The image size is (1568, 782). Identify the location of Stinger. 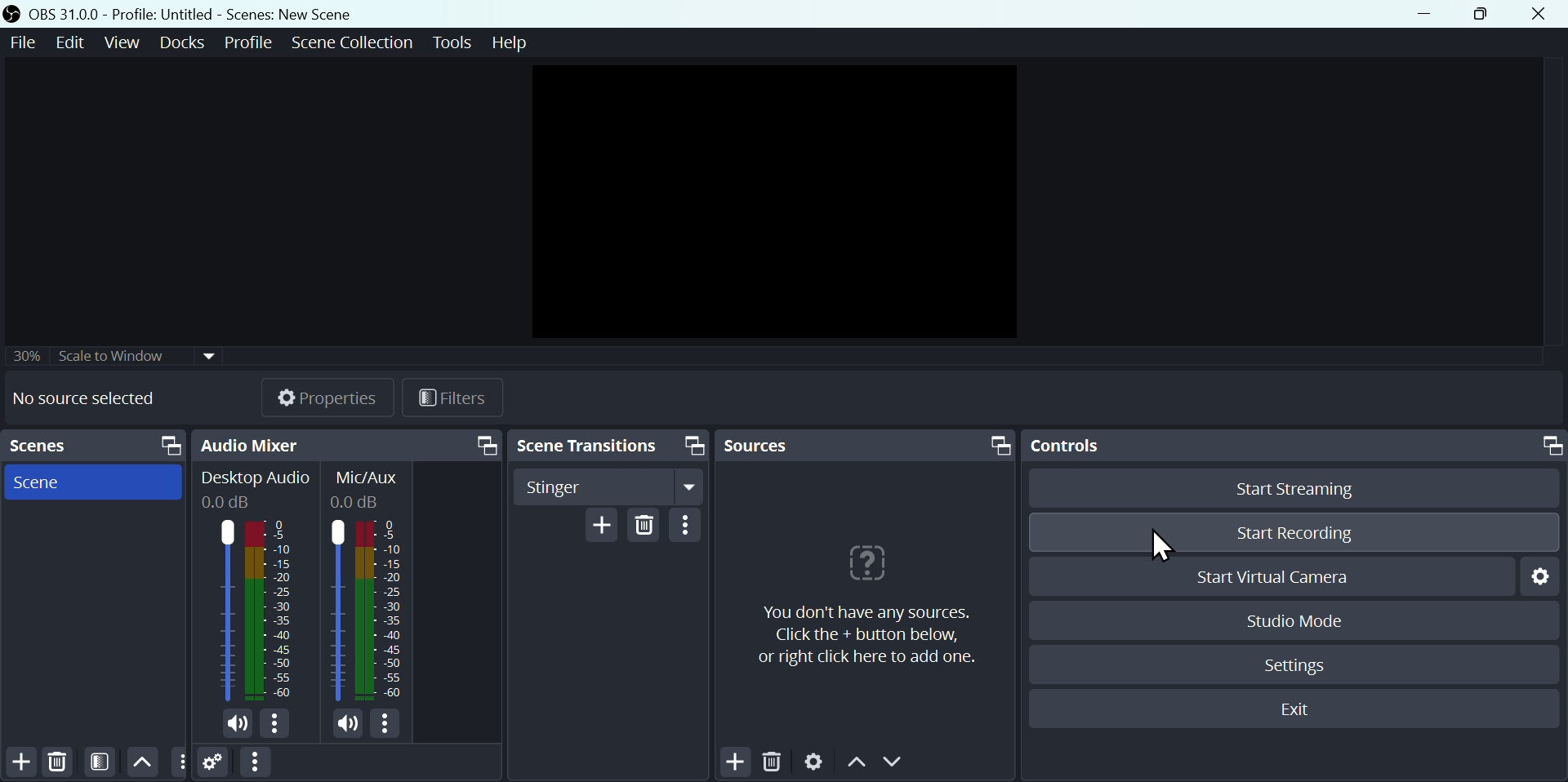
(608, 487).